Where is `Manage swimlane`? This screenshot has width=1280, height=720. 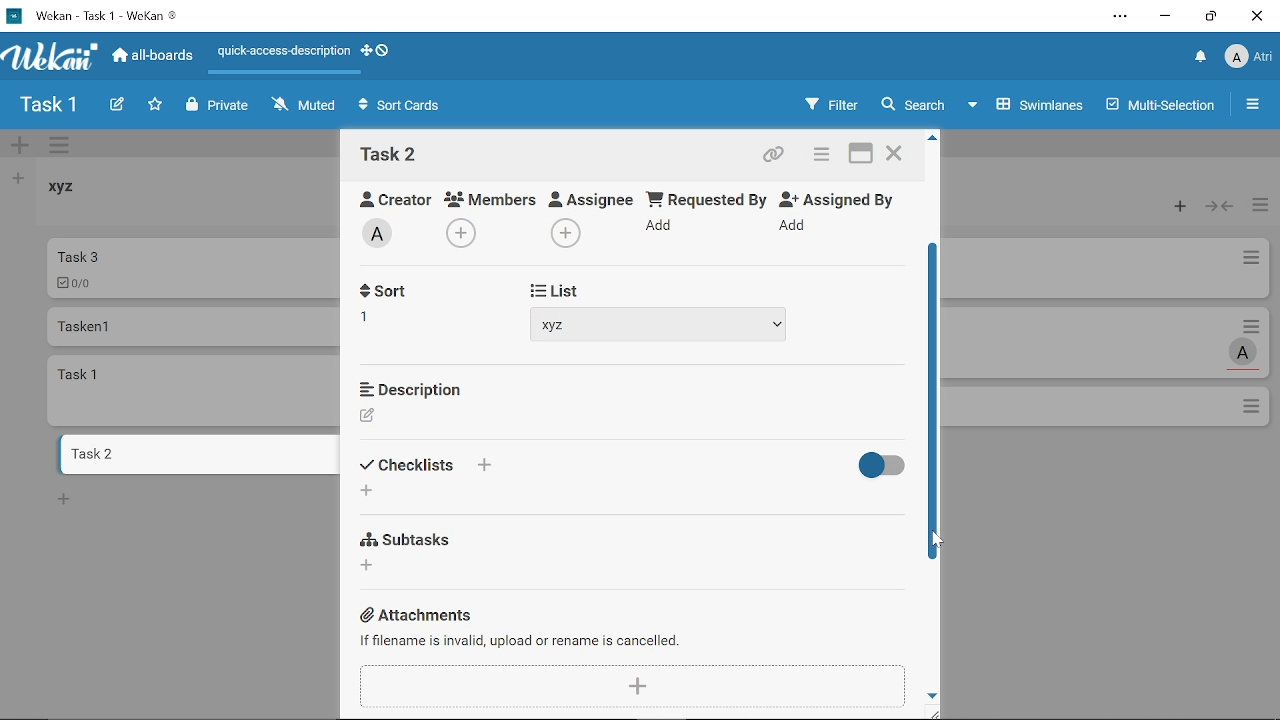
Manage swimlane is located at coordinates (61, 147).